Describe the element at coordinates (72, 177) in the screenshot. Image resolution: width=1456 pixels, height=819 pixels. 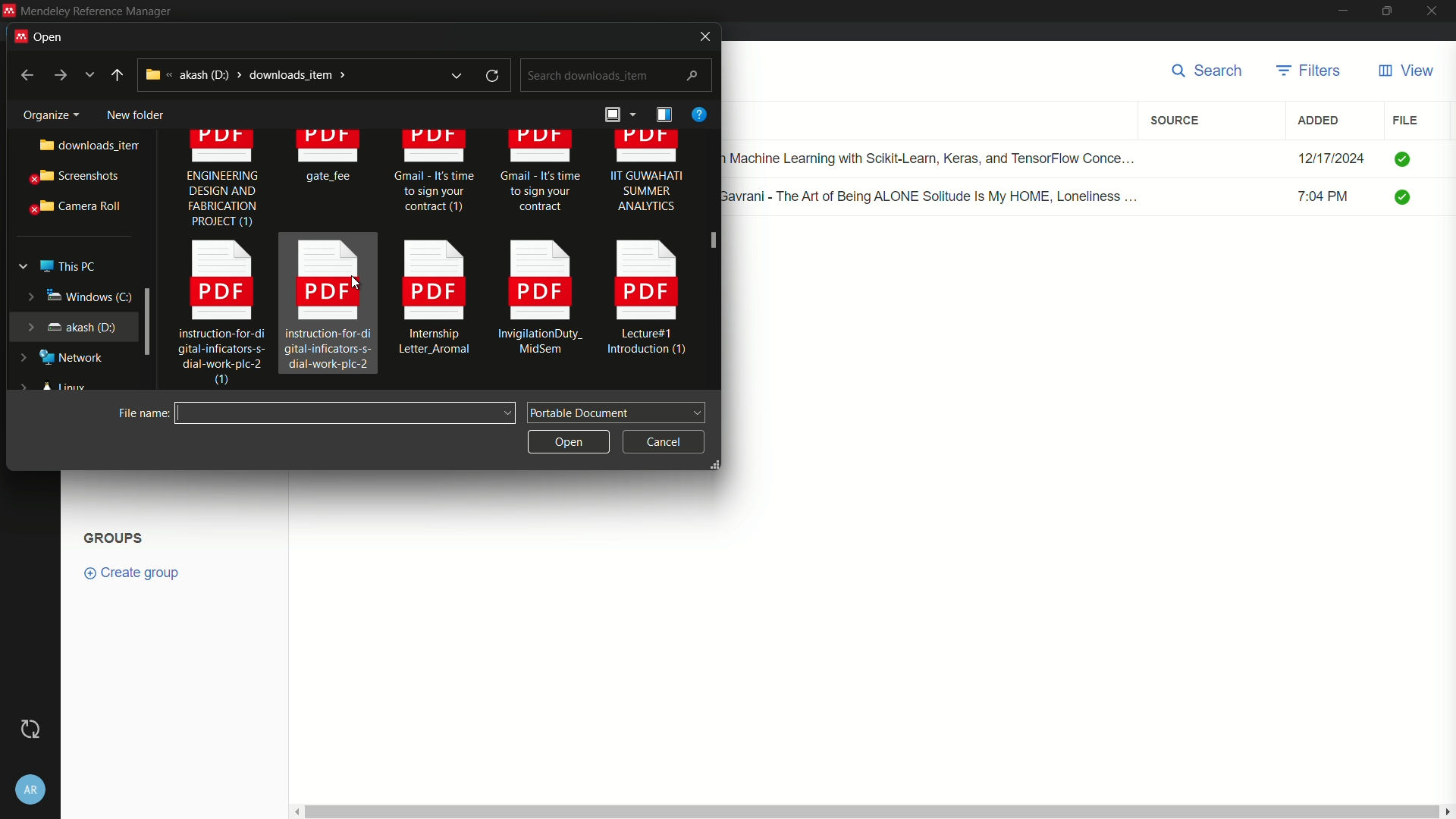
I see `screenshots` at that location.